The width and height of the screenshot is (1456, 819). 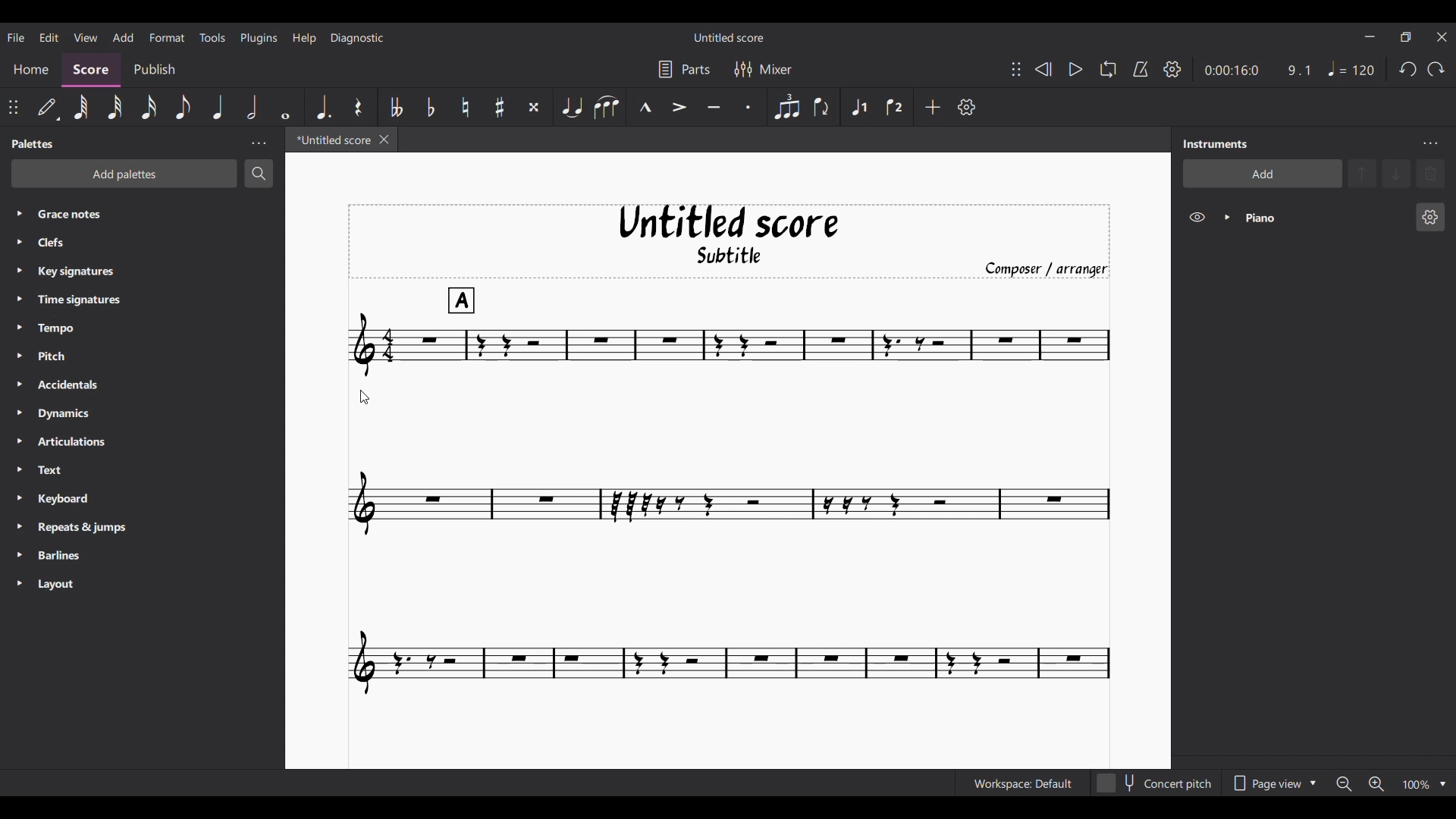 What do you see at coordinates (1227, 218) in the screenshot?
I see `Expand instrument` at bounding box center [1227, 218].